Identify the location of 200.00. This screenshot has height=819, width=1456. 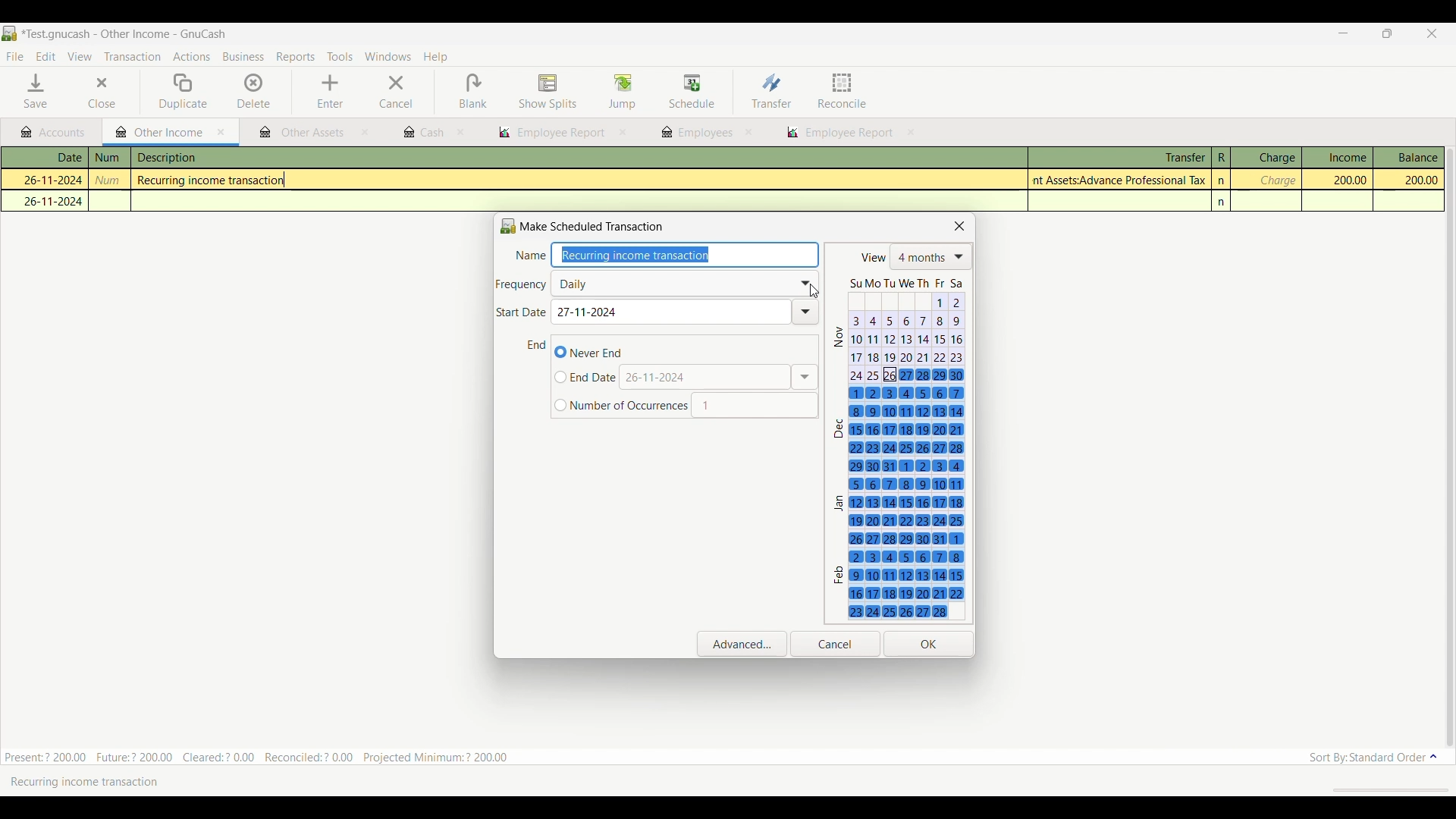
(1409, 180).